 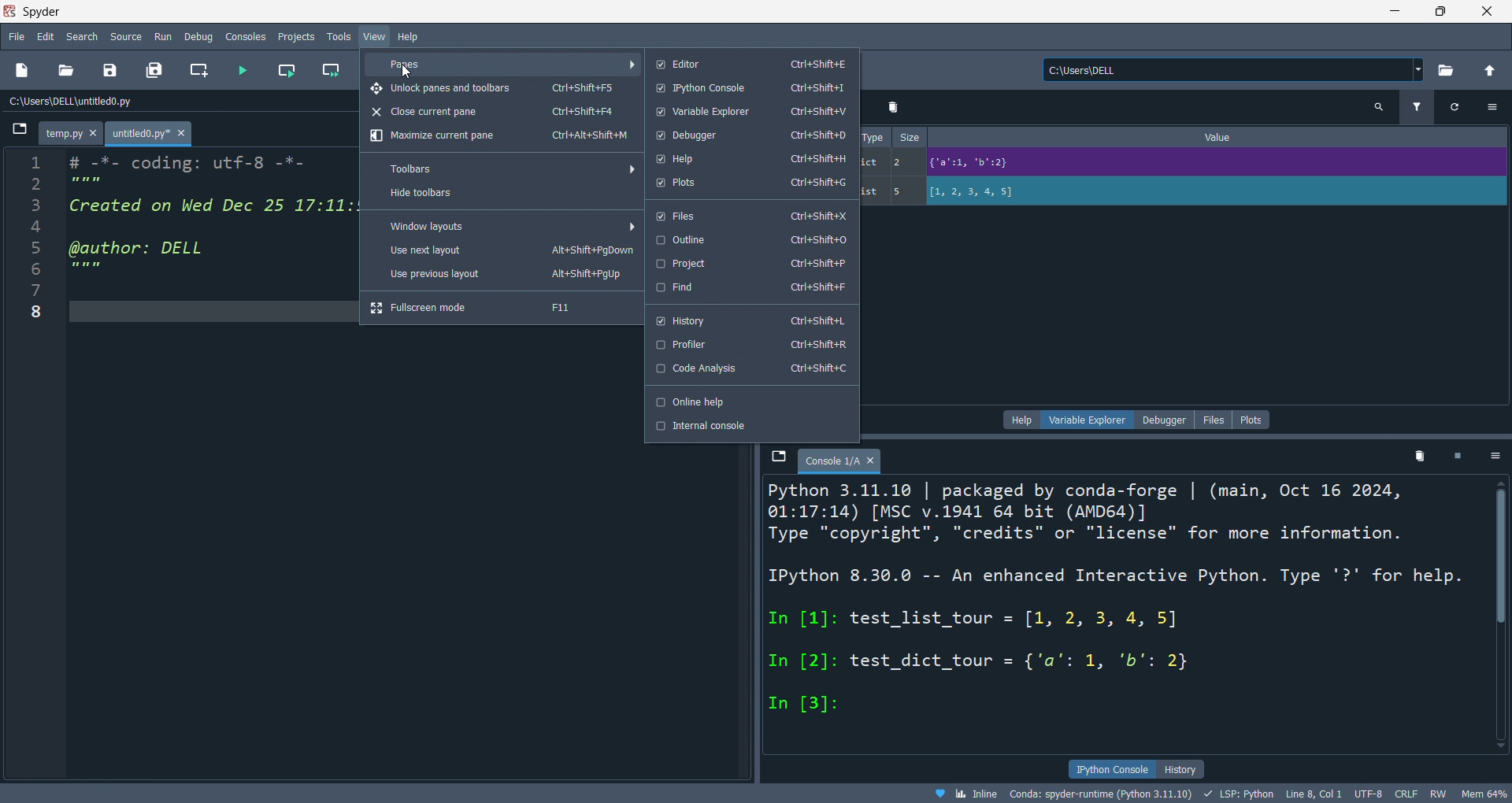 I want to click on history, so click(x=749, y=317).